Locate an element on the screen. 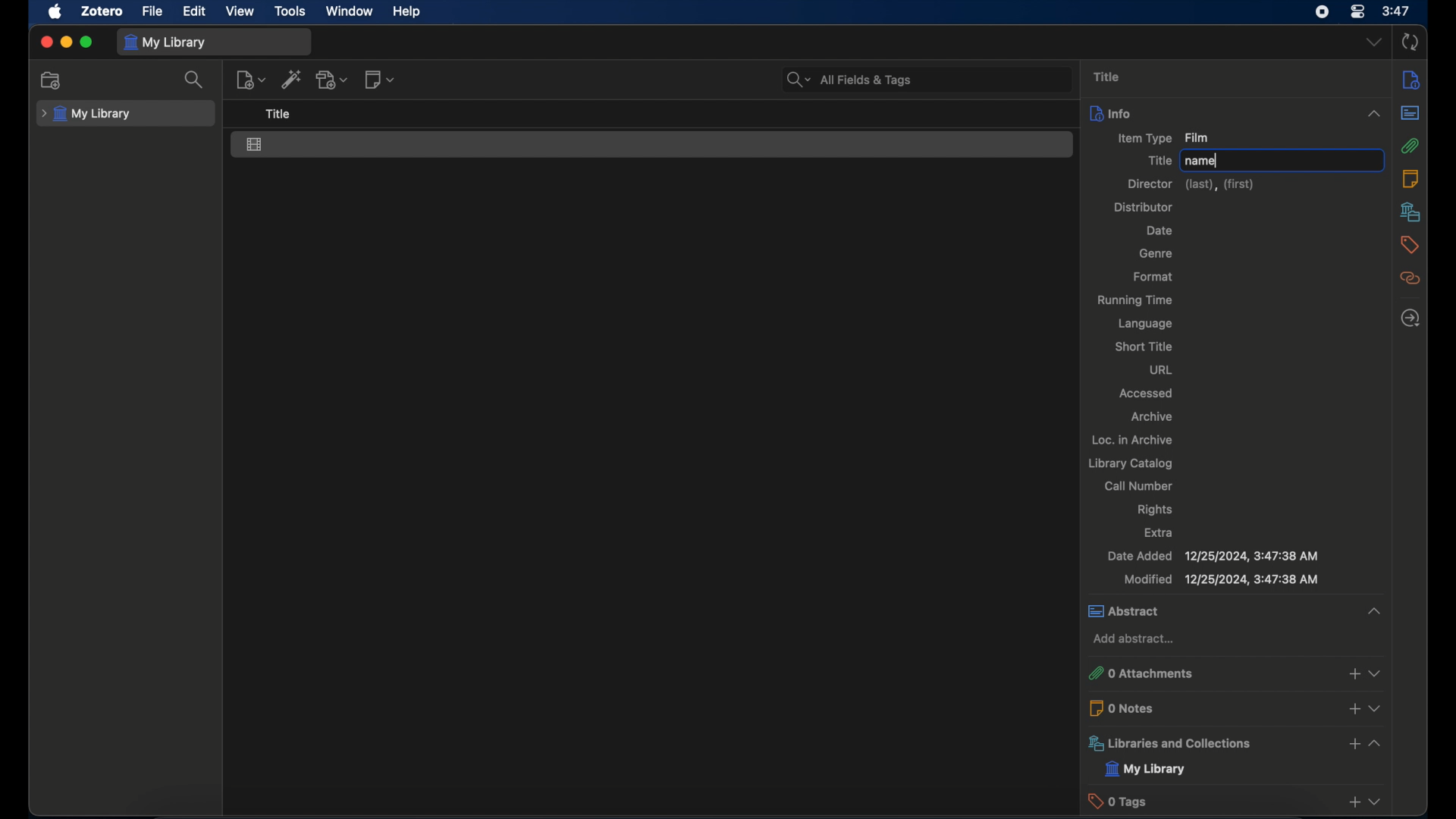  archive is located at coordinates (1151, 416).